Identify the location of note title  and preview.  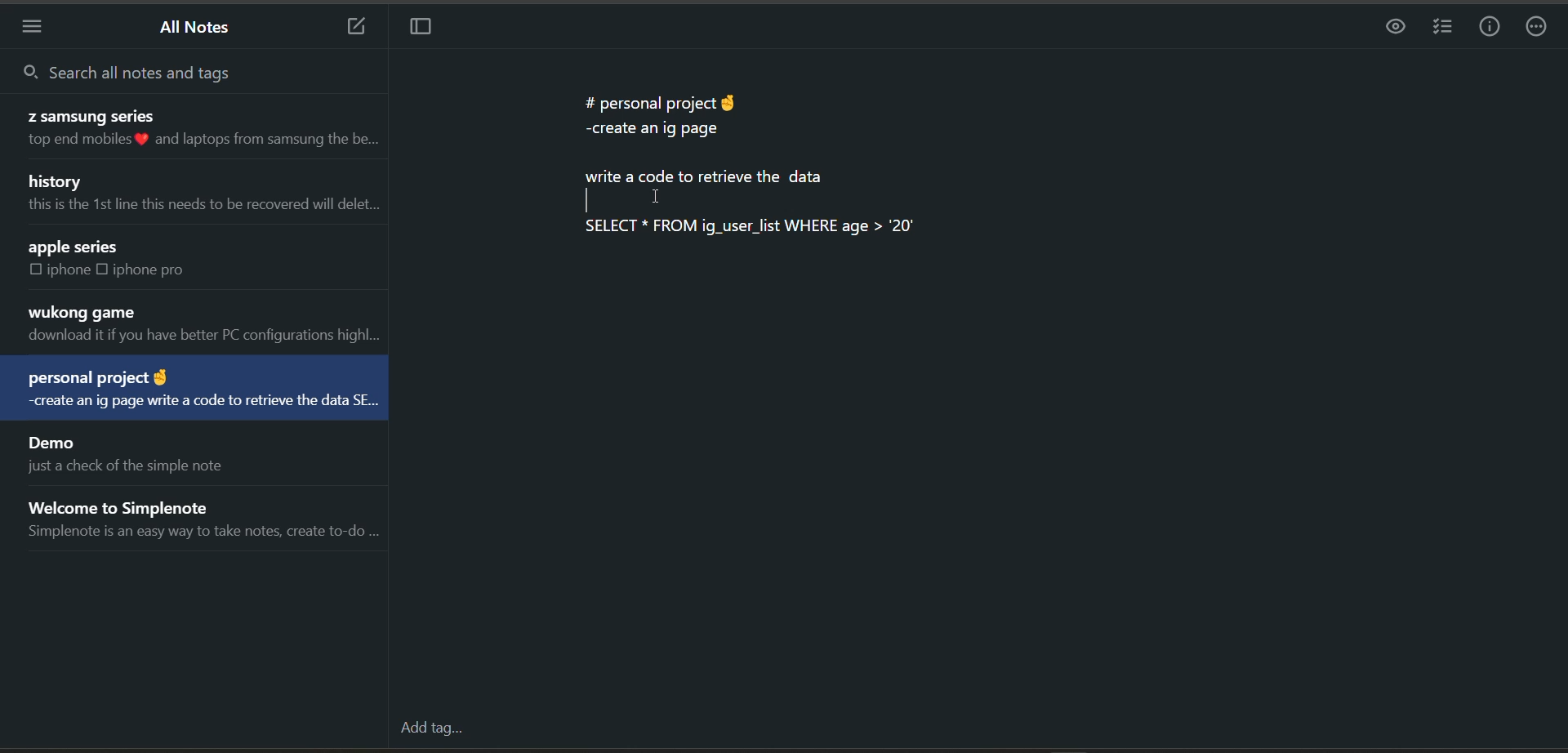
(194, 390).